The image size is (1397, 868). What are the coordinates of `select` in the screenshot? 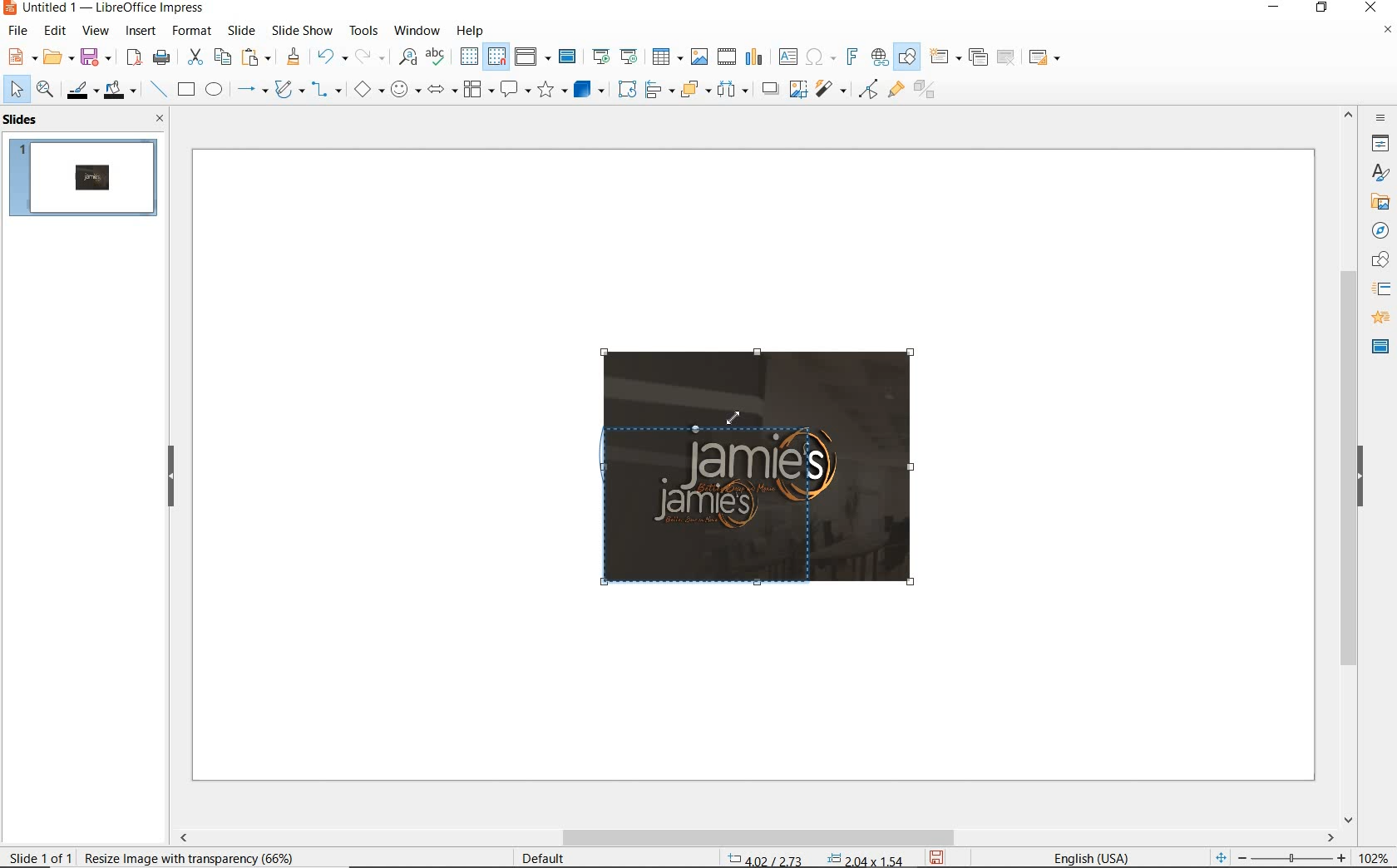 It's located at (17, 90).